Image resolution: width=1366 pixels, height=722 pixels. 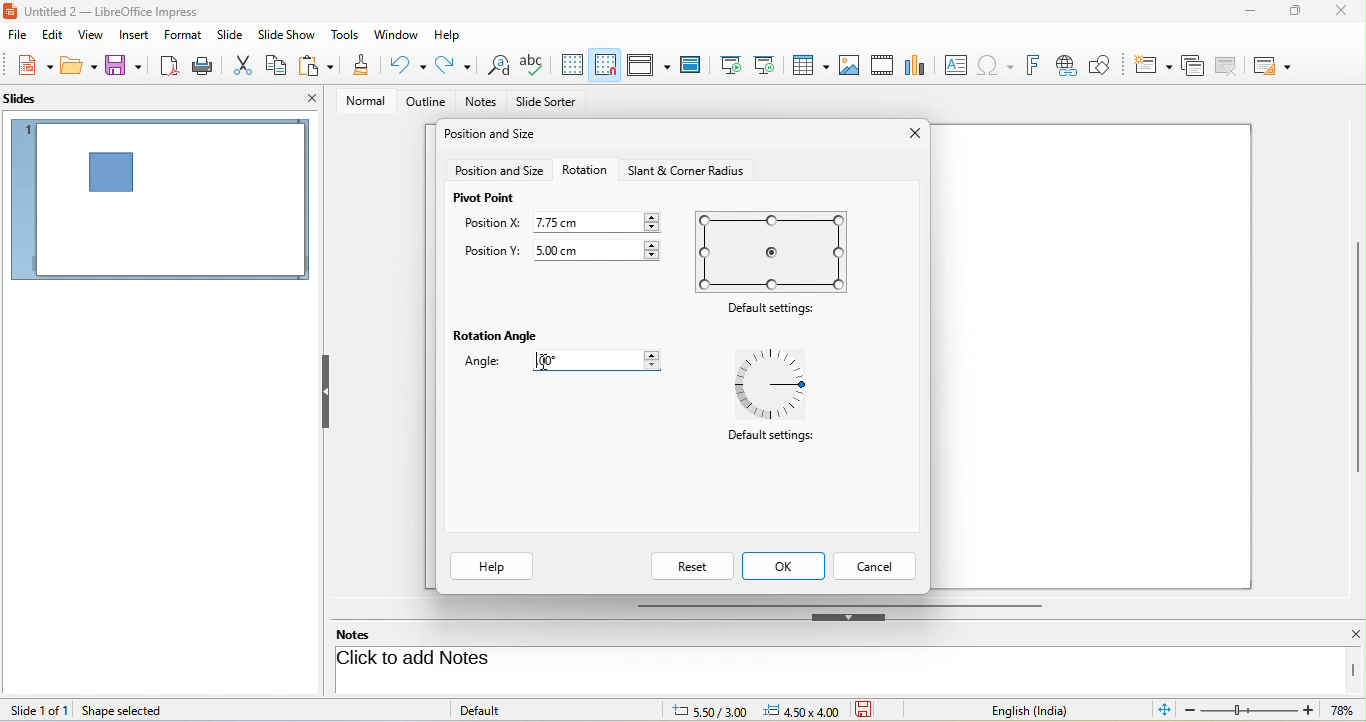 What do you see at coordinates (312, 98) in the screenshot?
I see `close` at bounding box center [312, 98].